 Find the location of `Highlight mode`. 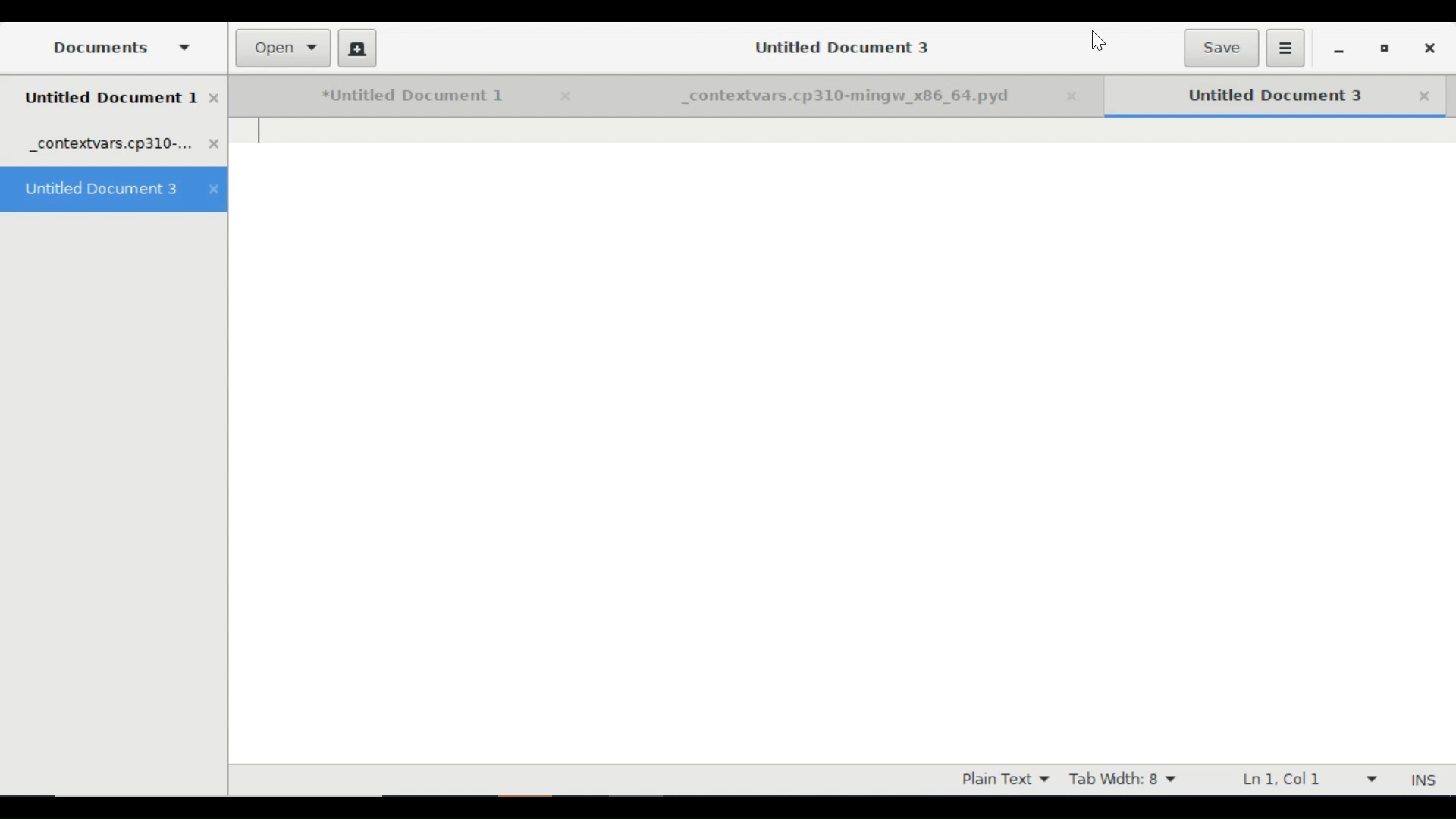

Highlight mode is located at coordinates (1004, 780).